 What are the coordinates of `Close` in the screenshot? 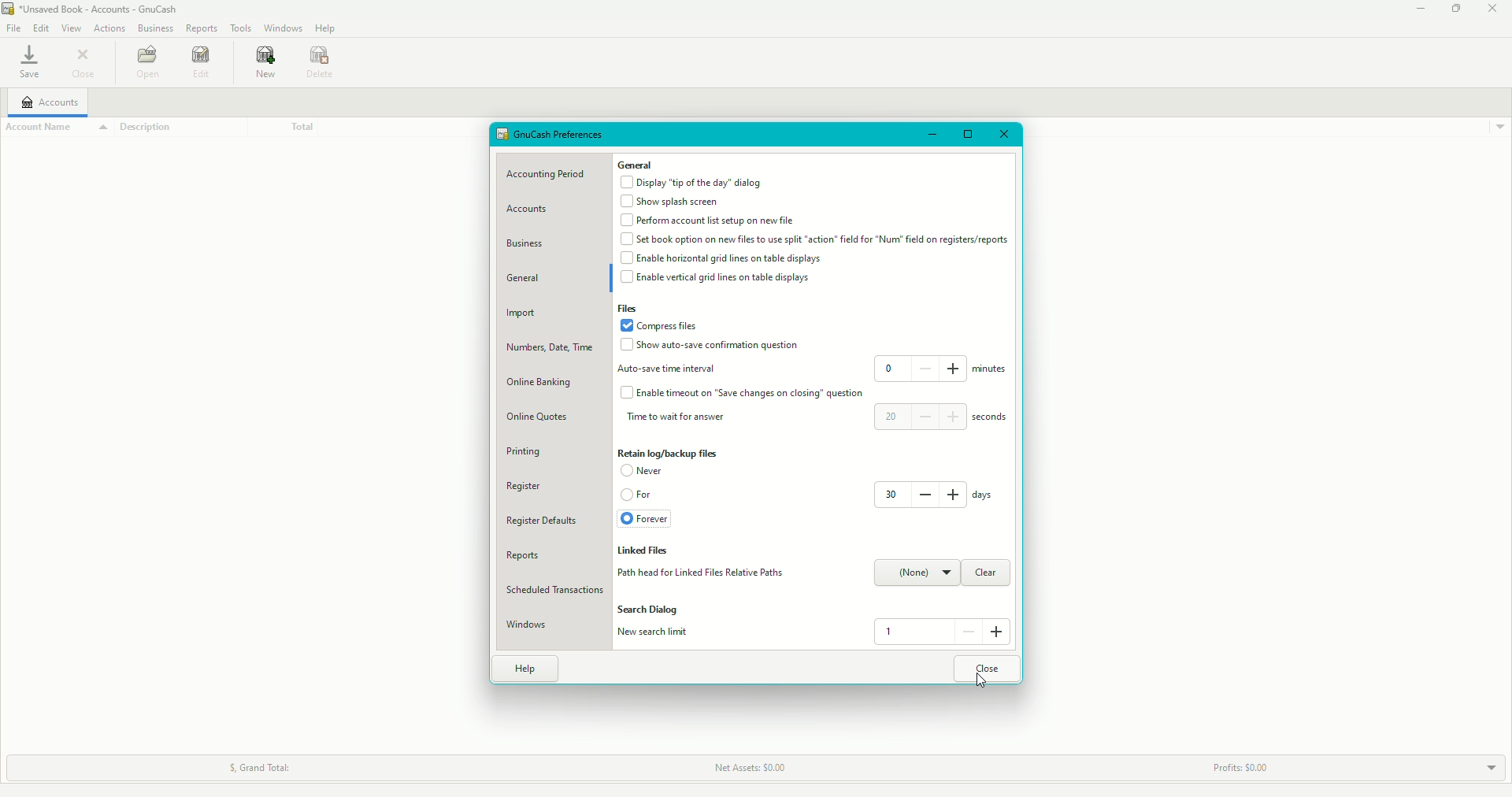 It's located at (988, 668).